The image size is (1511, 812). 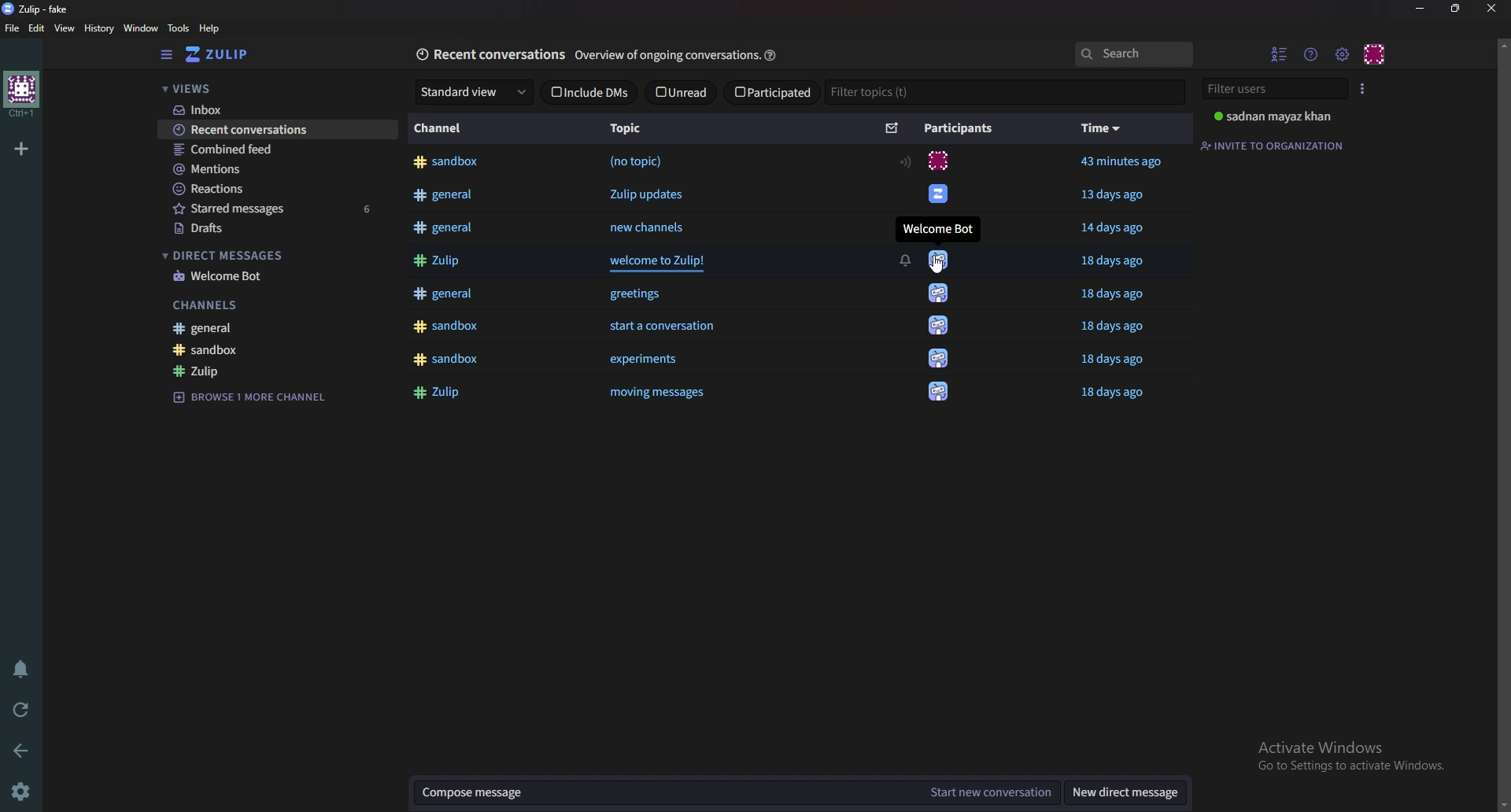 I want to click on 18 days ago, so click(x=1118, y=327).